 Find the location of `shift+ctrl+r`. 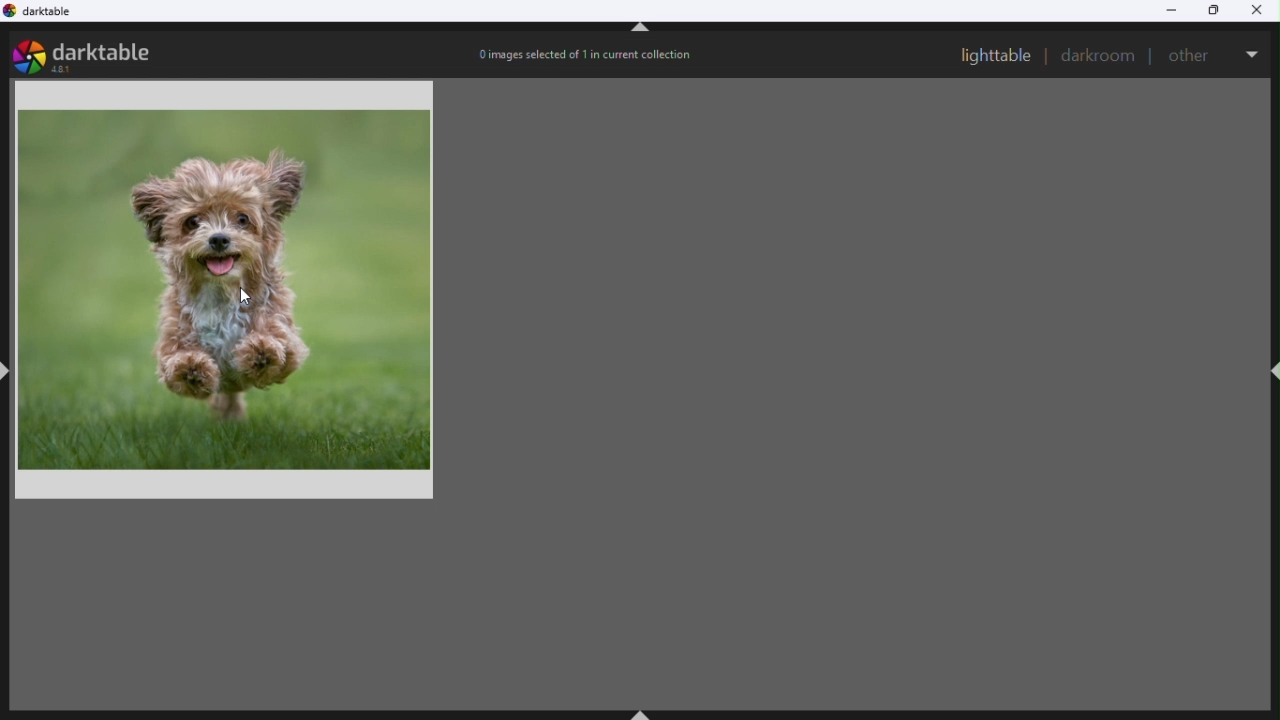

shift+ctrl+r is located at coordinates (1272, 372).